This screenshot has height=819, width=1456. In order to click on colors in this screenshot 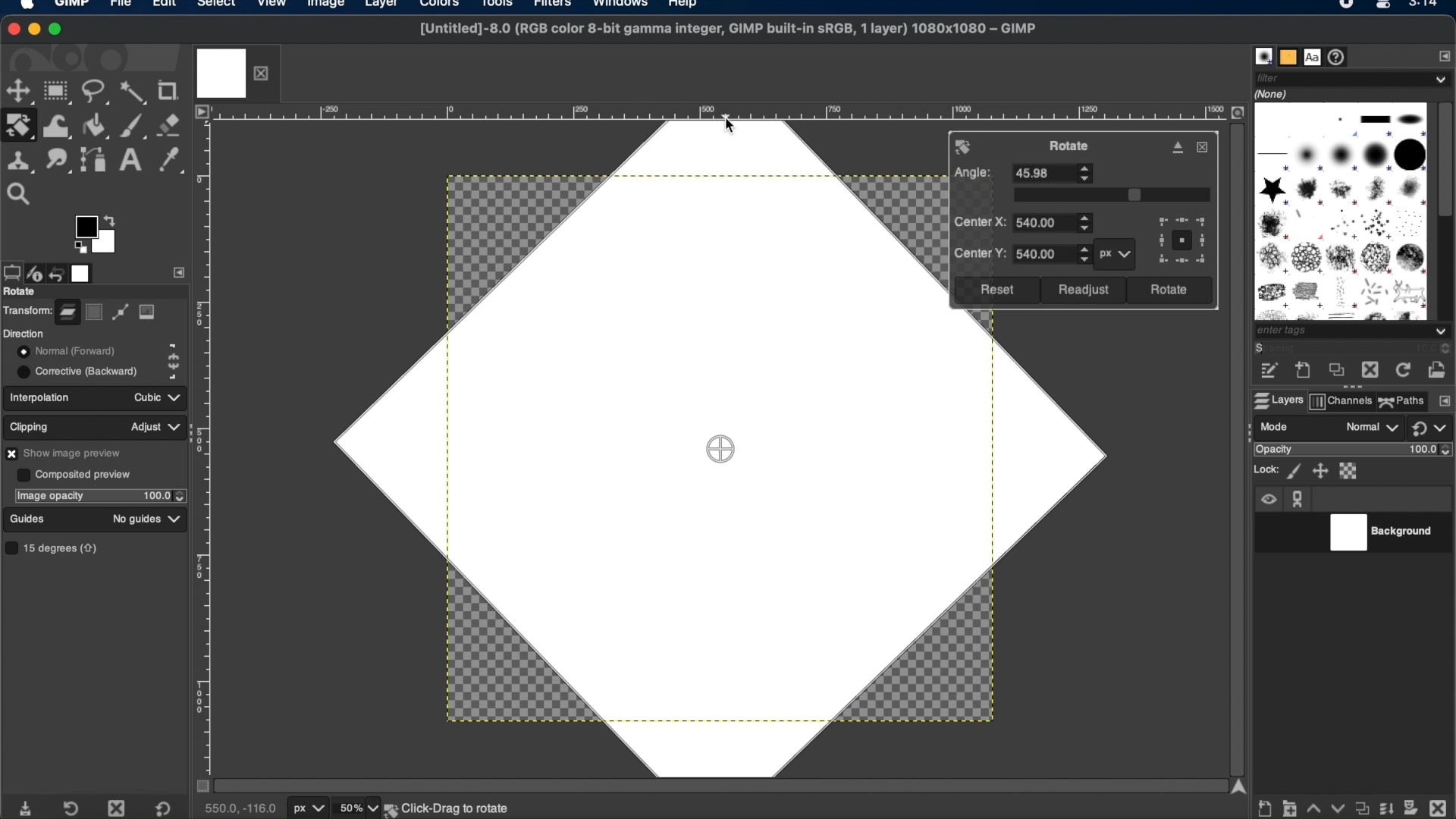, I will do `click(443, 8)`.